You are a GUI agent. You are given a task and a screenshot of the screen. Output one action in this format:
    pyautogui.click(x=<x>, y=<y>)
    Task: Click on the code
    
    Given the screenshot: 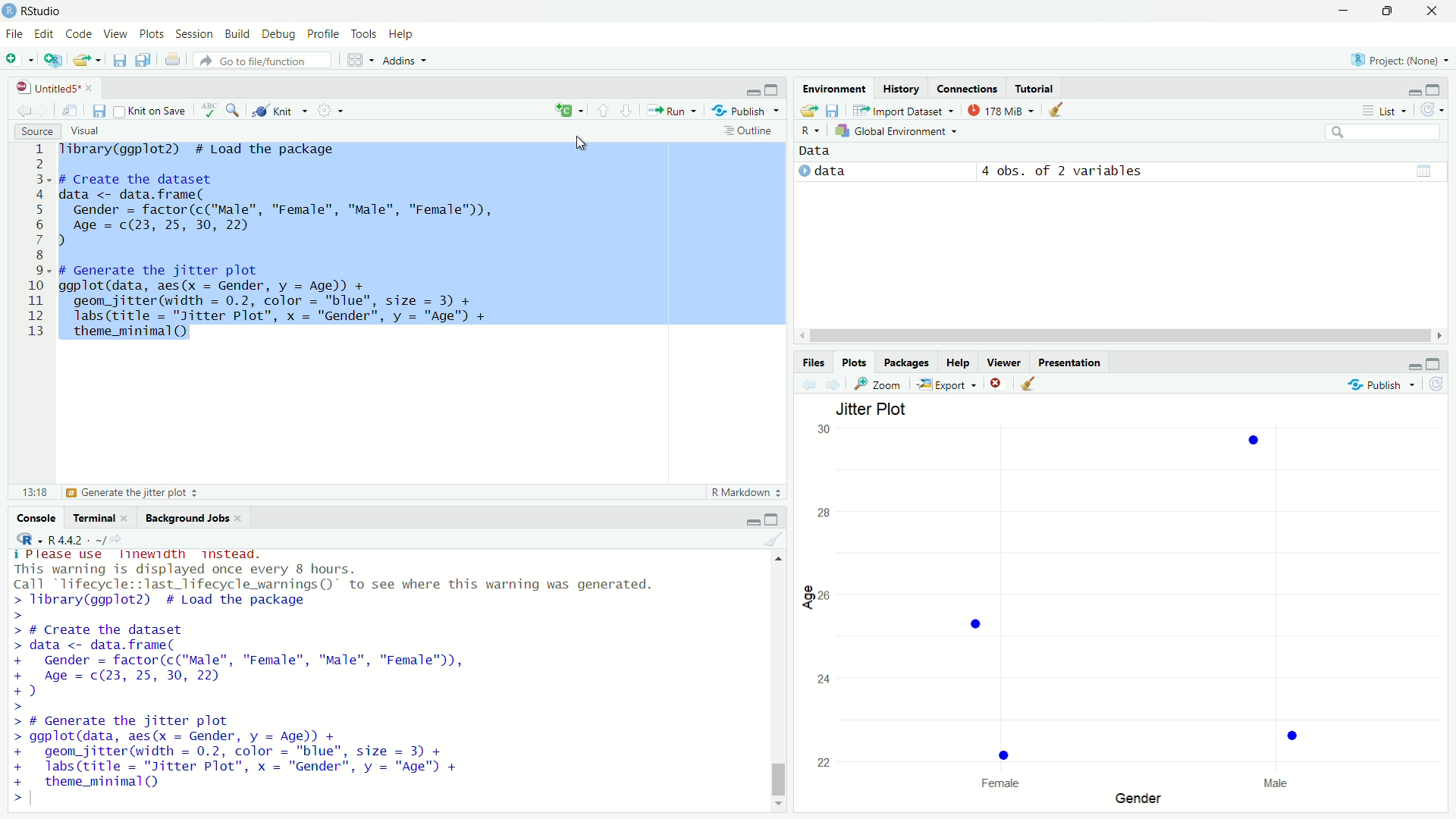 What is the action you would take?
    pyautogui.click(x=77, y=33)
    